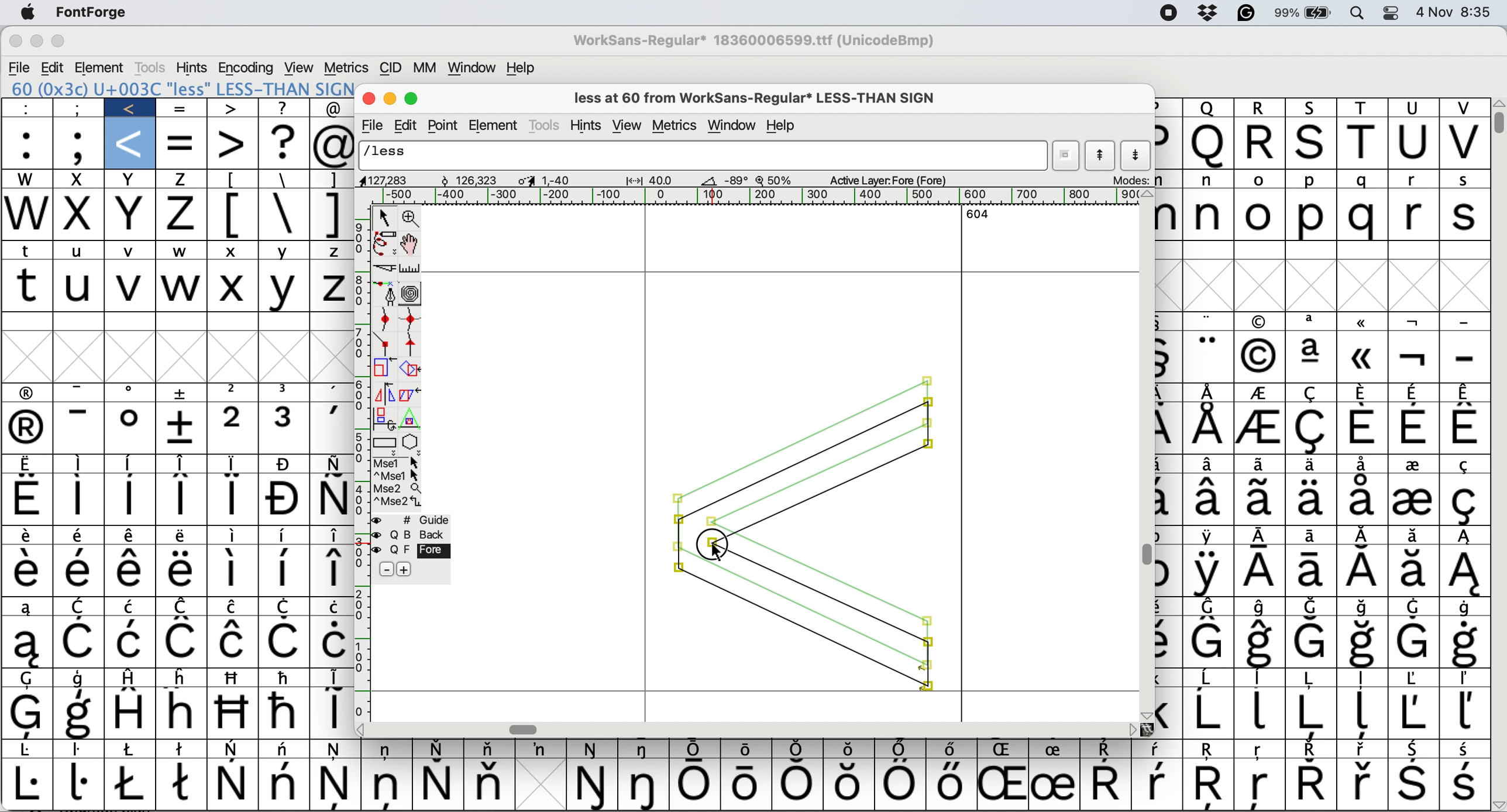 This screenshot has width=1507, height=812. What do you see at coordinates (733, 126) in the screenshot?
I see `window` at bounding box center [733, 126].